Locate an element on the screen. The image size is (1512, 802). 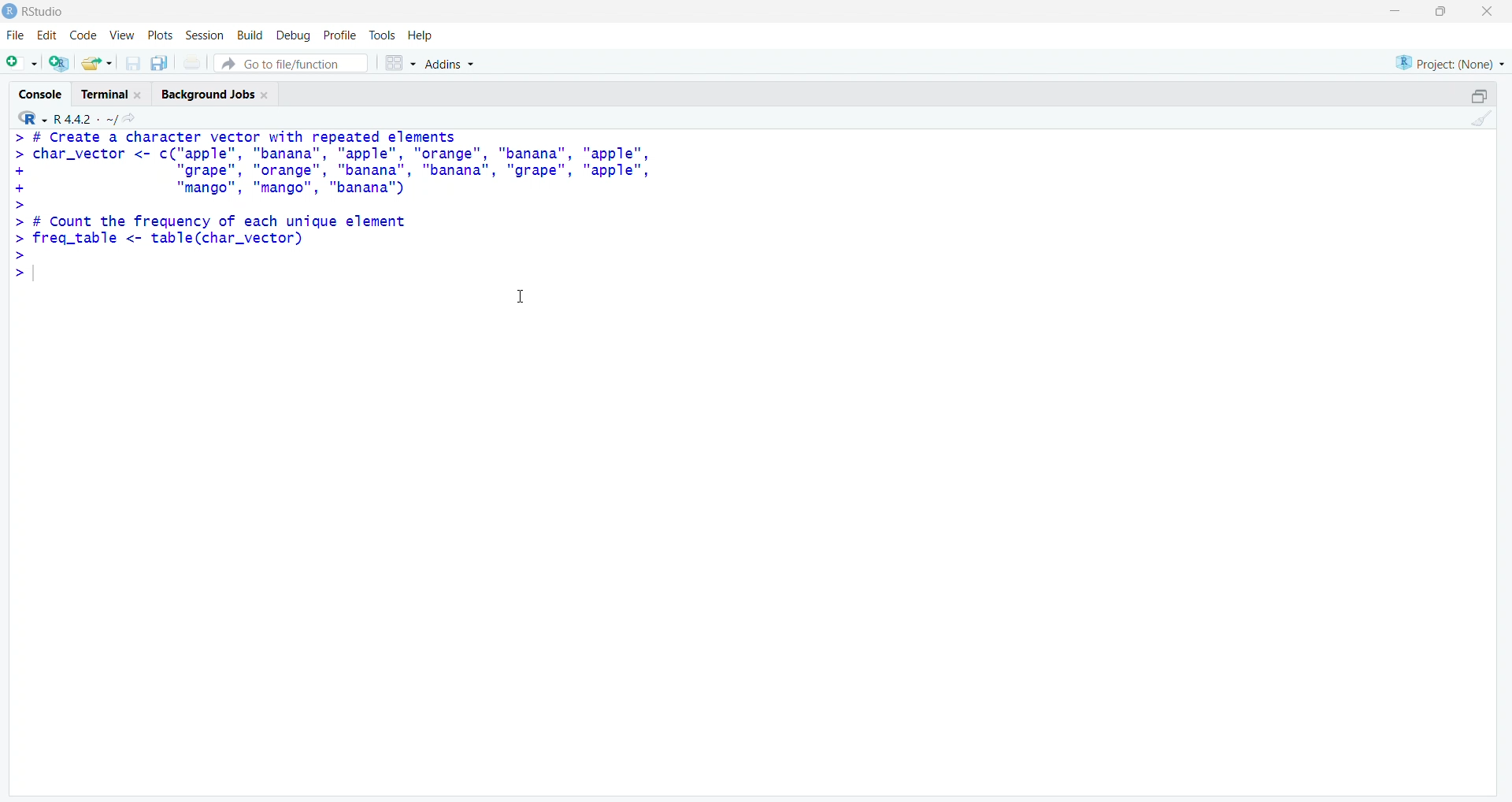
View the current working directory is located at coordinates (133, 118).